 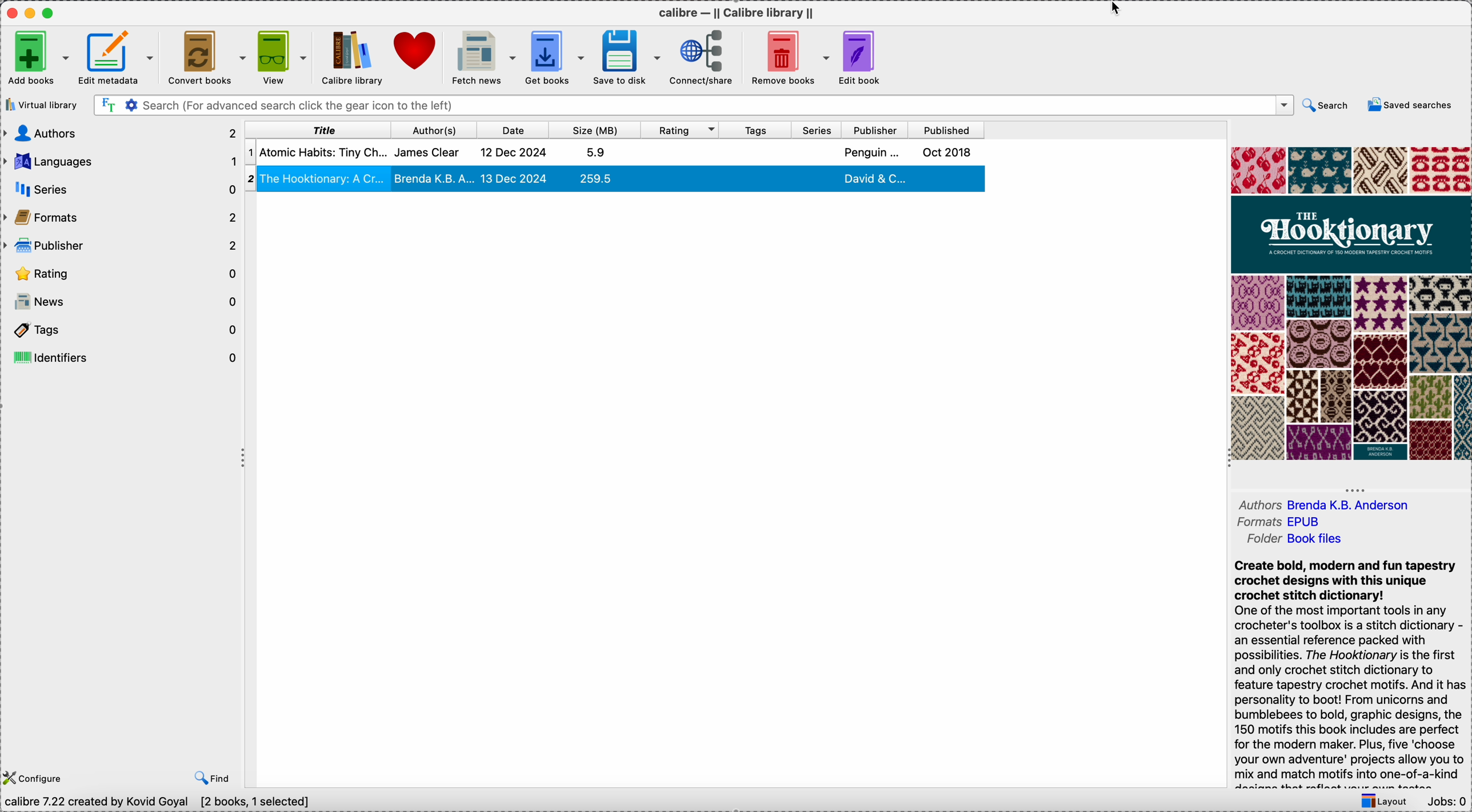 What do you see at coordinates (1321, 505) in the screenshot?
I see `authors Brenda K.B Anderson` at bounding box center [1321, 505].